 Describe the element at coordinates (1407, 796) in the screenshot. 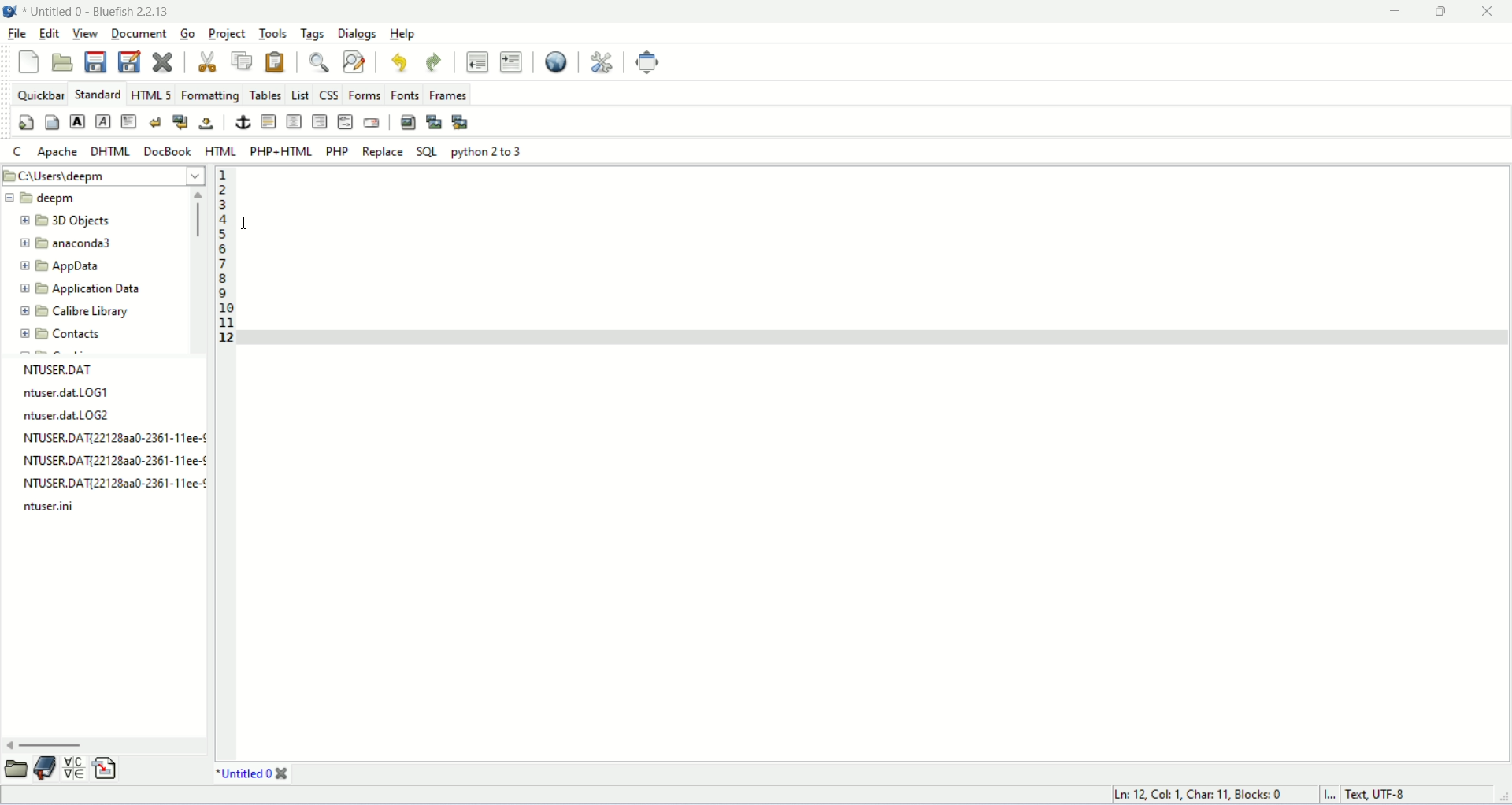

I see `character encoding` at that location.